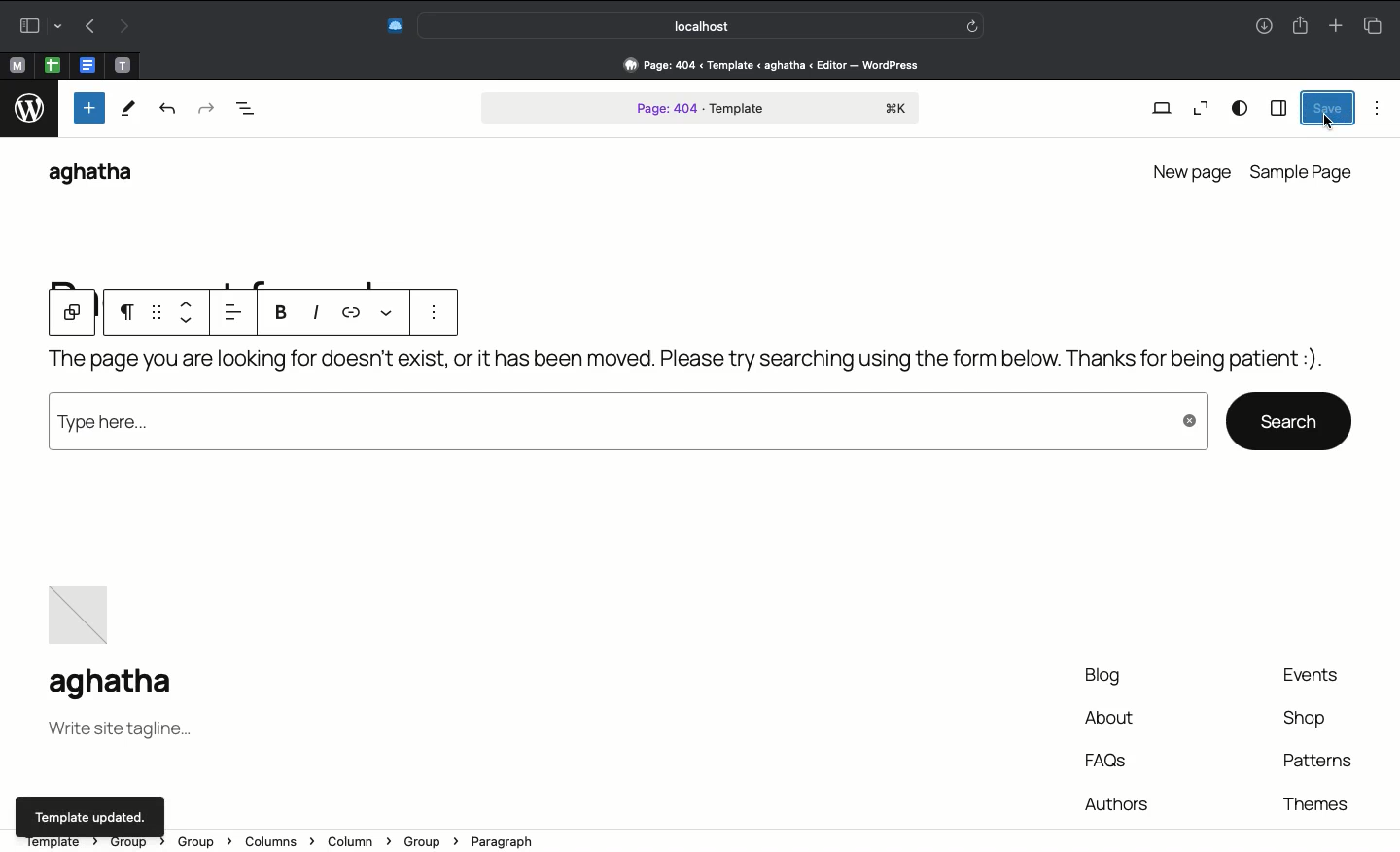  What do you see at coordinates (1329, 122) in the screenshot?
I see `cursor` at bounding box center [1329, 122].